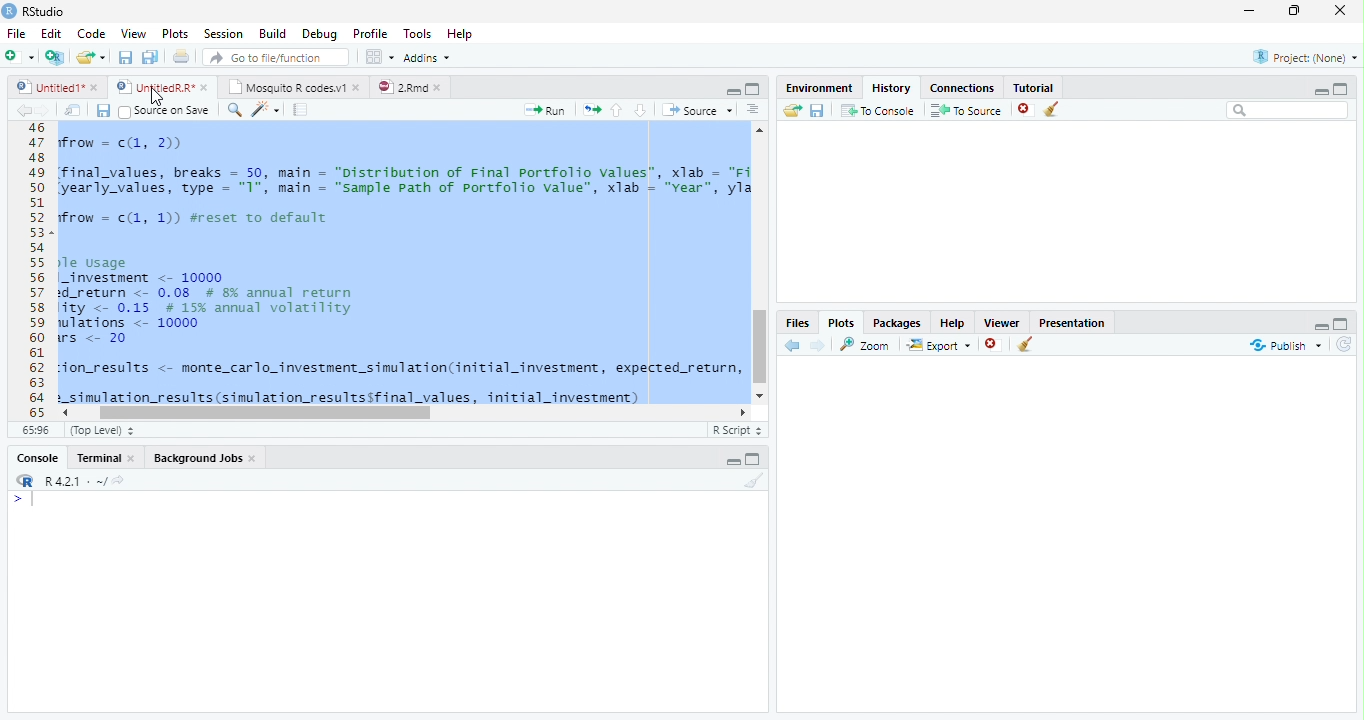 The image size is (1364, 720). What do you see at coordinates (732, 461) in the screenshot?
I see `Hide` at bounding box center [732, 461].